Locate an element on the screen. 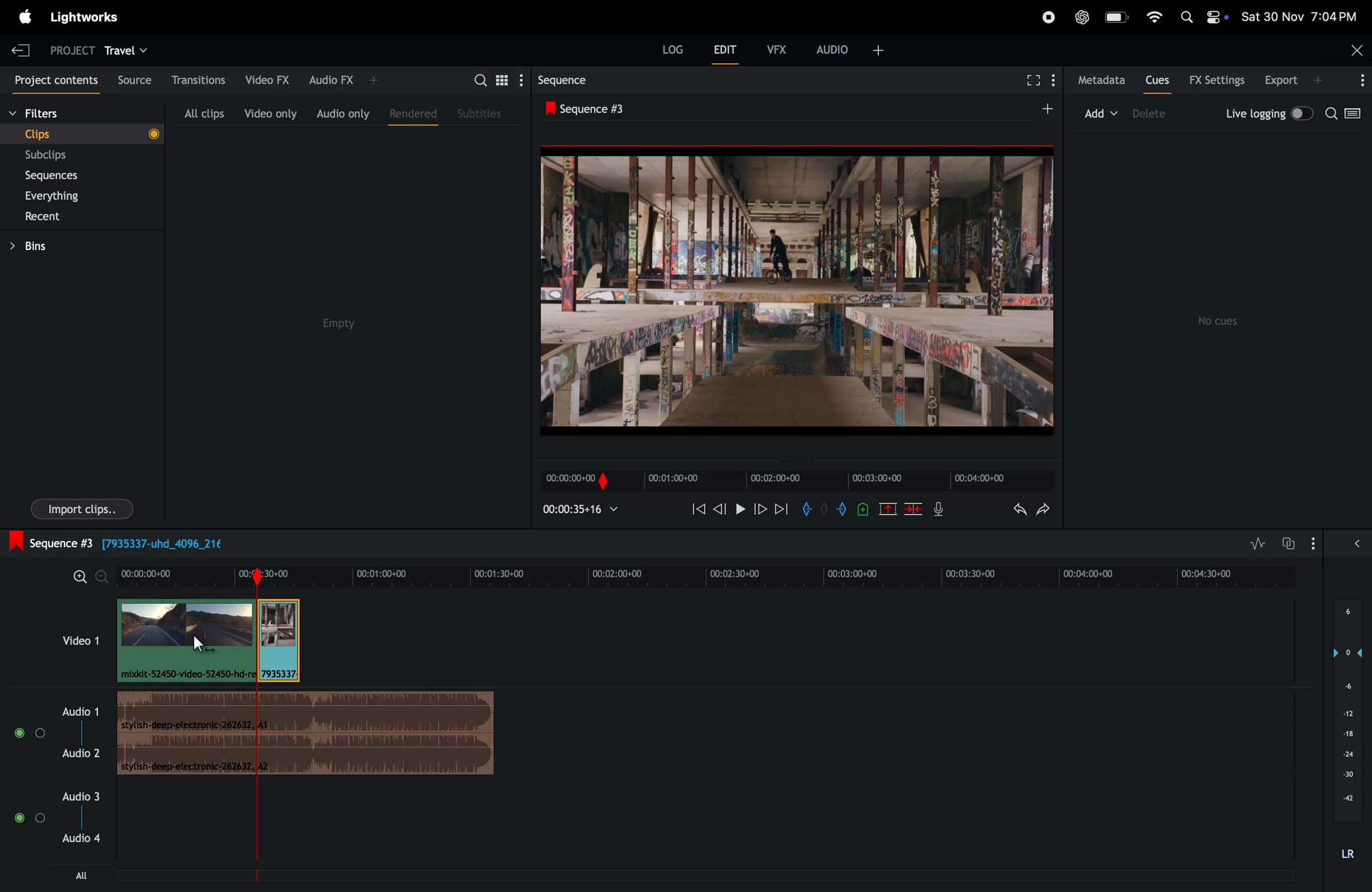  wifi is located at coordinates (1155, 18).